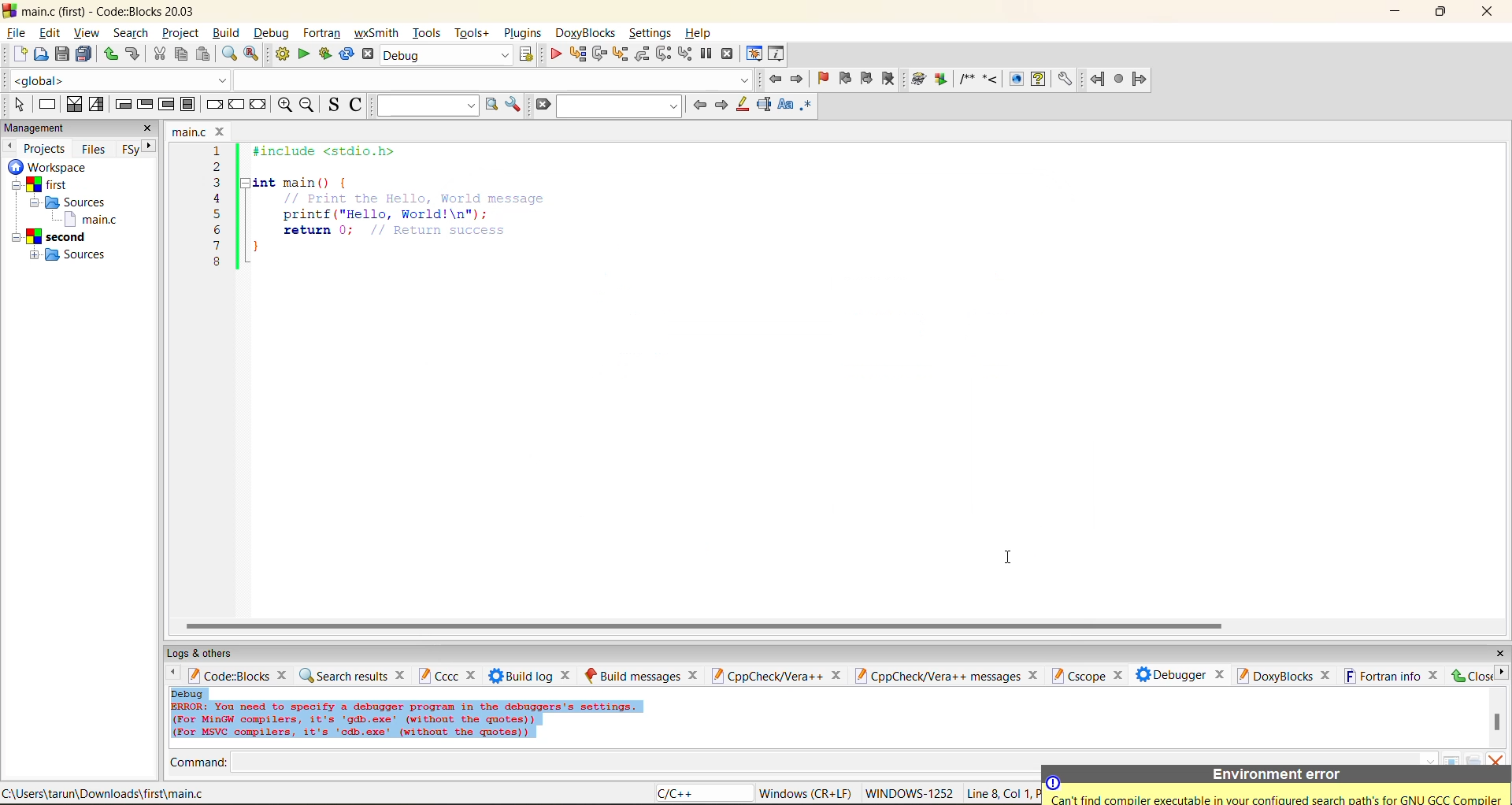 The width and height of the screenshot is (1512, 805). What do you see at coordinates (72, 254) in the screenshot?
I see `sources folder` at bounding box center [72, 254].